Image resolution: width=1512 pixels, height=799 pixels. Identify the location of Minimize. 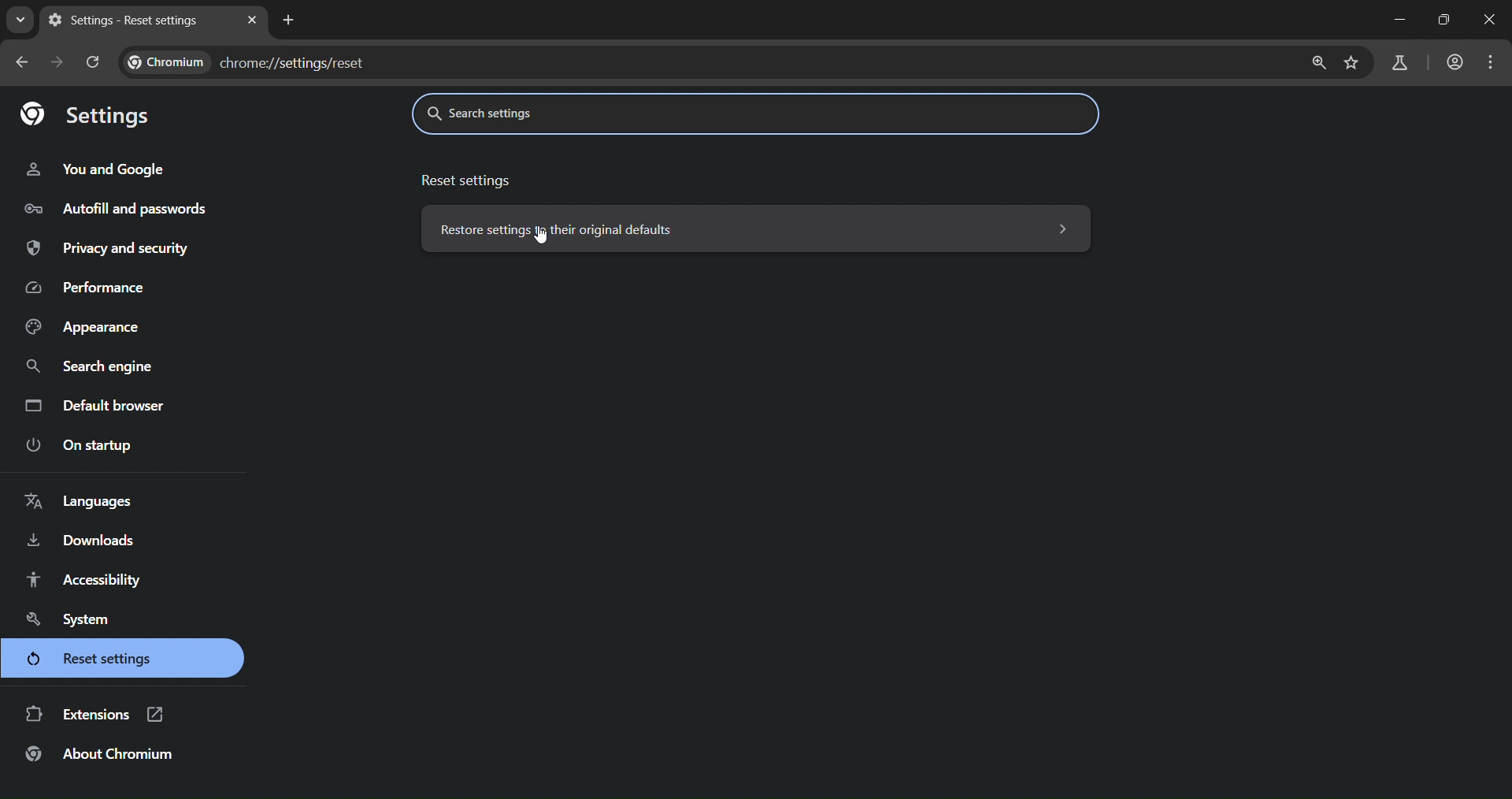
(1402, 19).